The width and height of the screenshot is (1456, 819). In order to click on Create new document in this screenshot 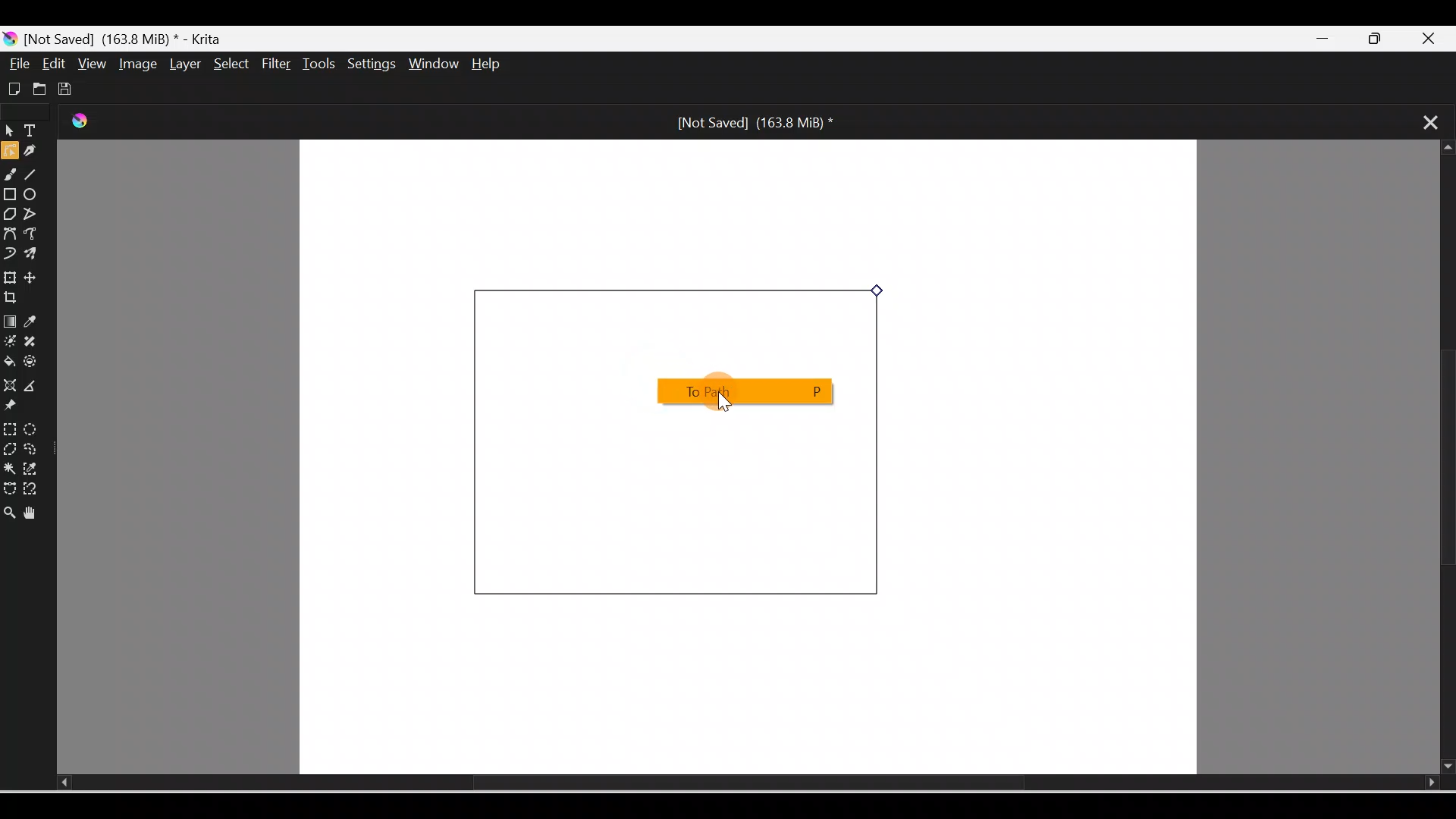, I will do `click(12, 87)`.